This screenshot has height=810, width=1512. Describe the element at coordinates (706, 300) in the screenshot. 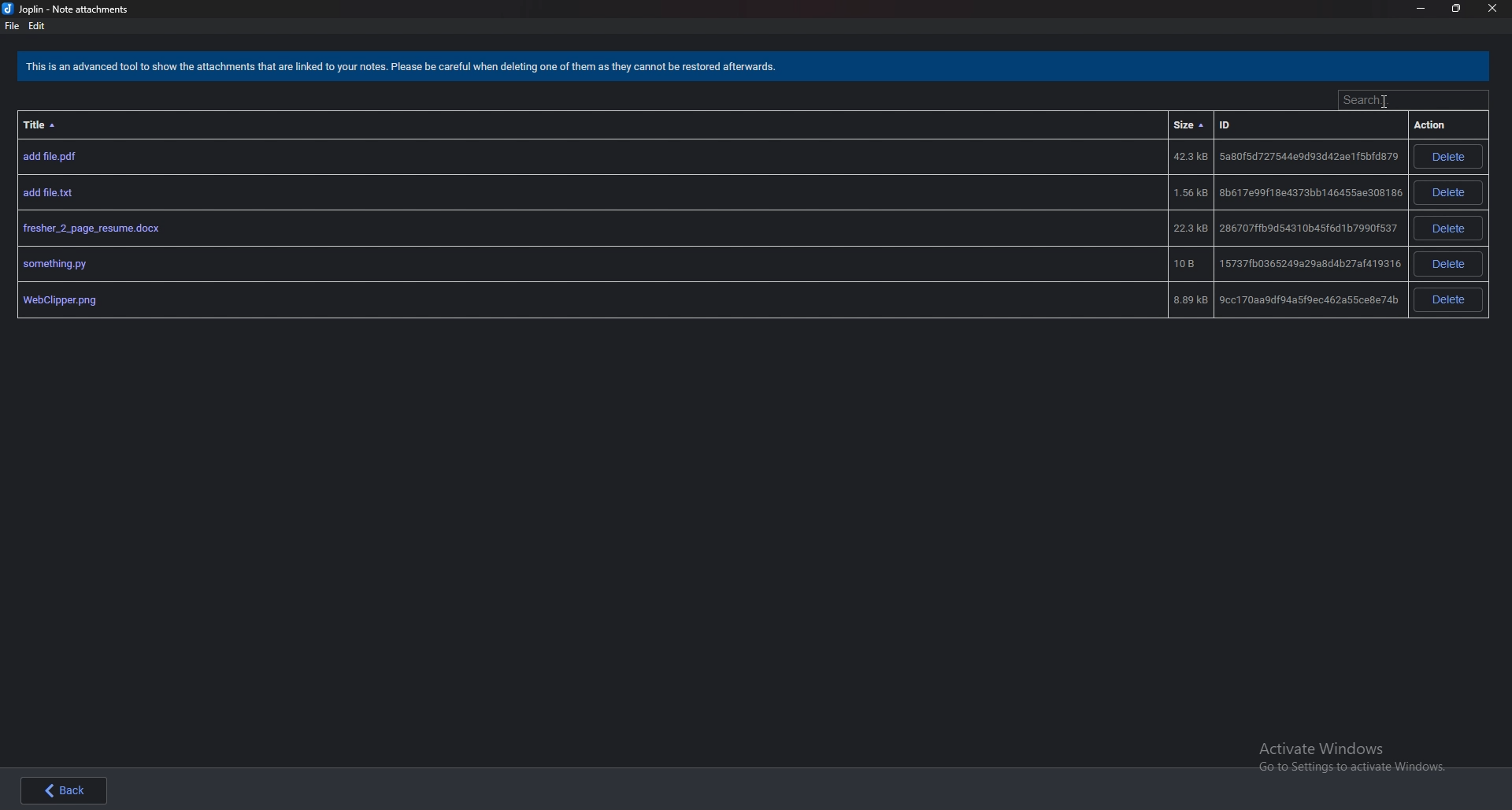

I see `attachment` at that location.